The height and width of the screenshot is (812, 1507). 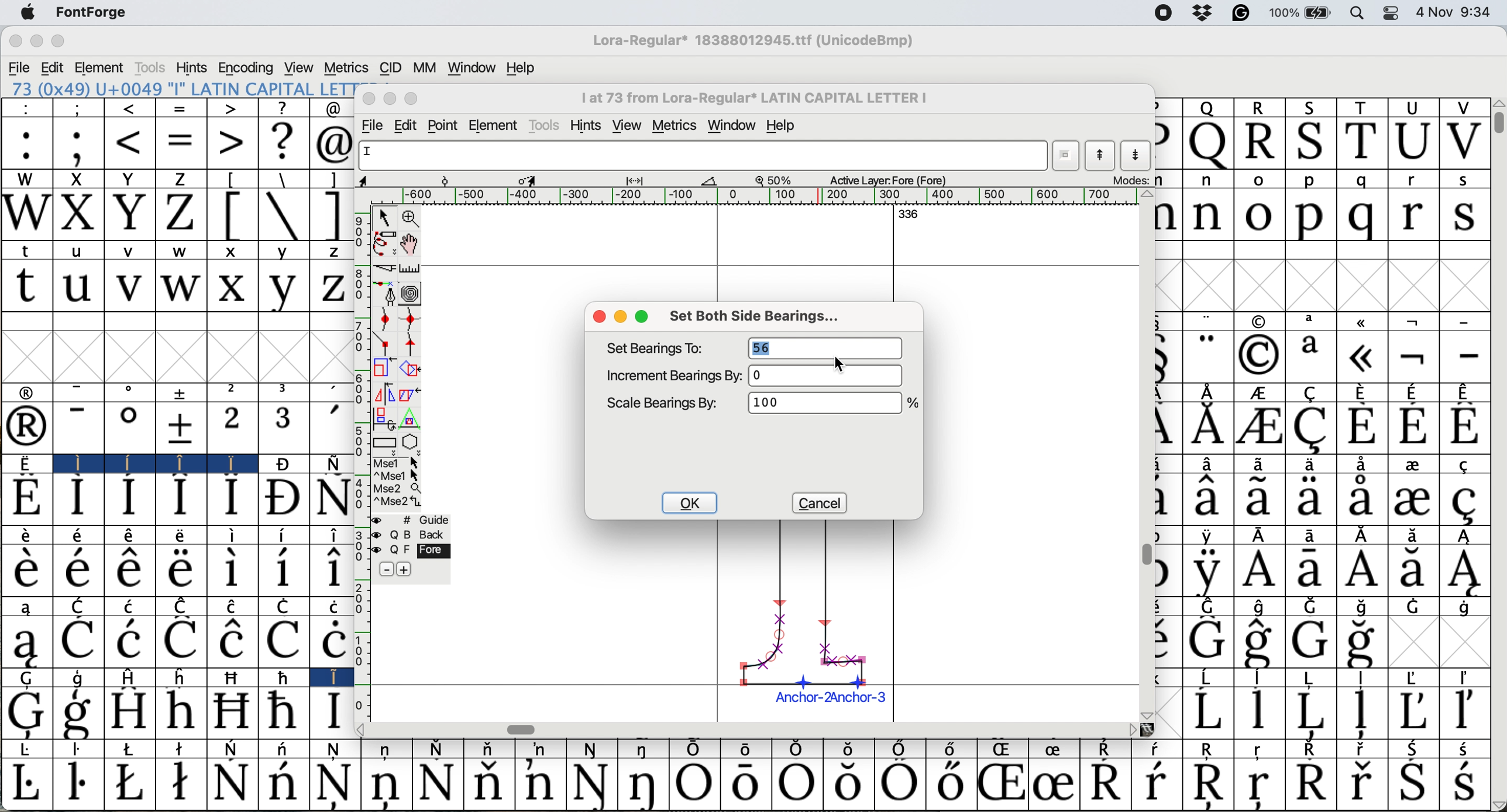 I want to click on Symbol, so click(x=796, y=749).